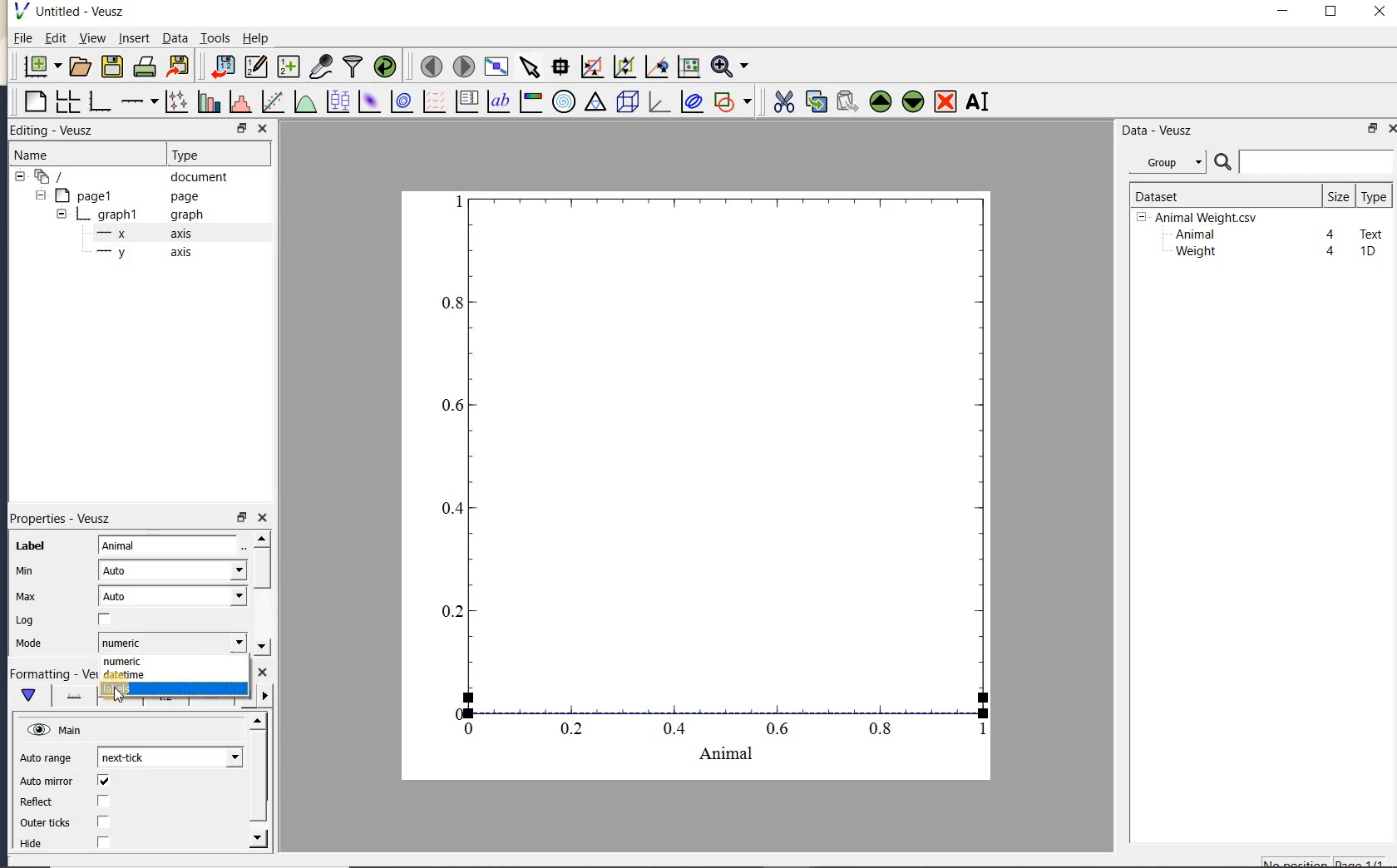 This screenshot has height=868, width=1397. I want to click on Animal, so click(1193, 235).